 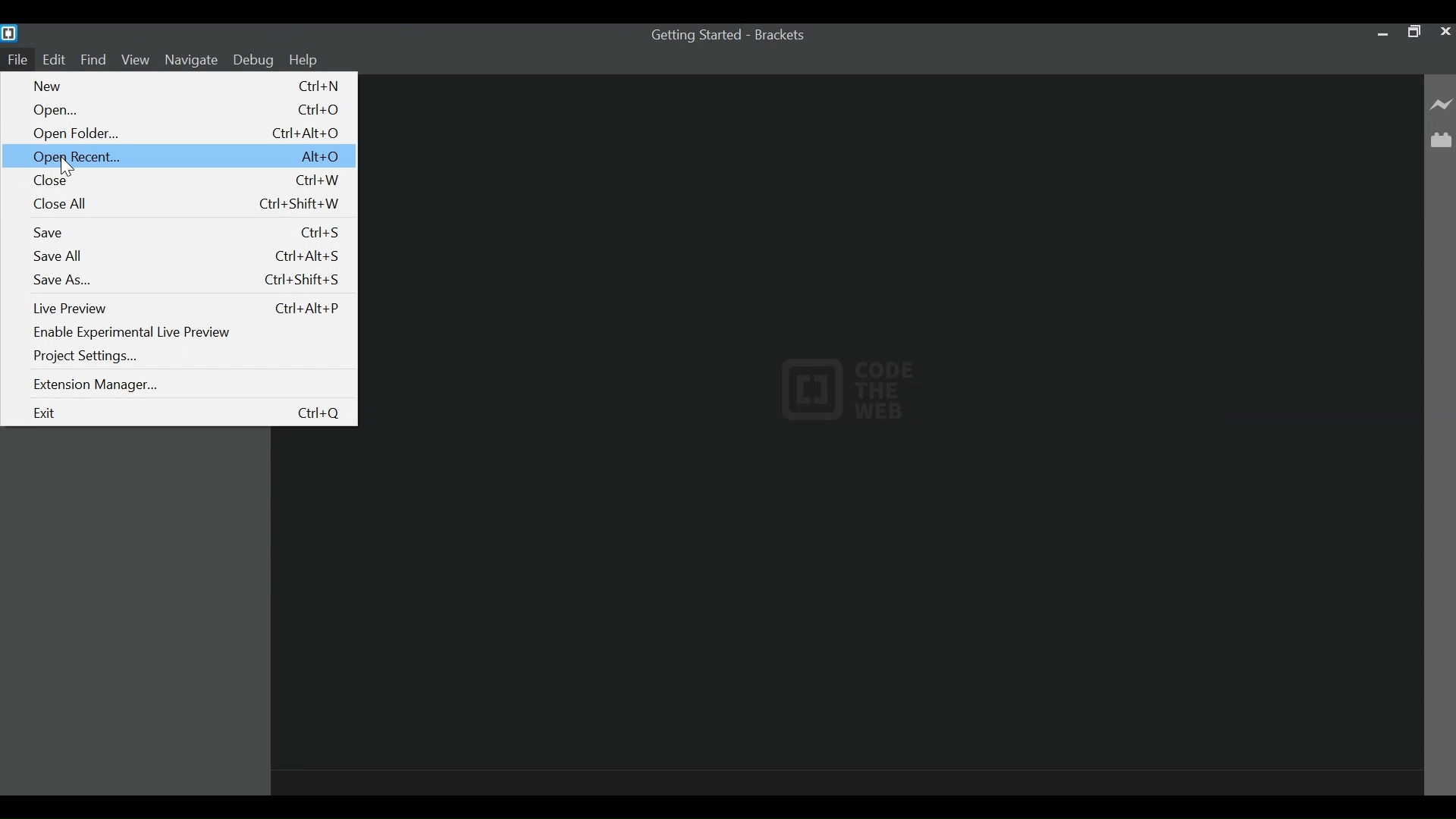 I want to click on Open Recent, so click(x=178, y=155).